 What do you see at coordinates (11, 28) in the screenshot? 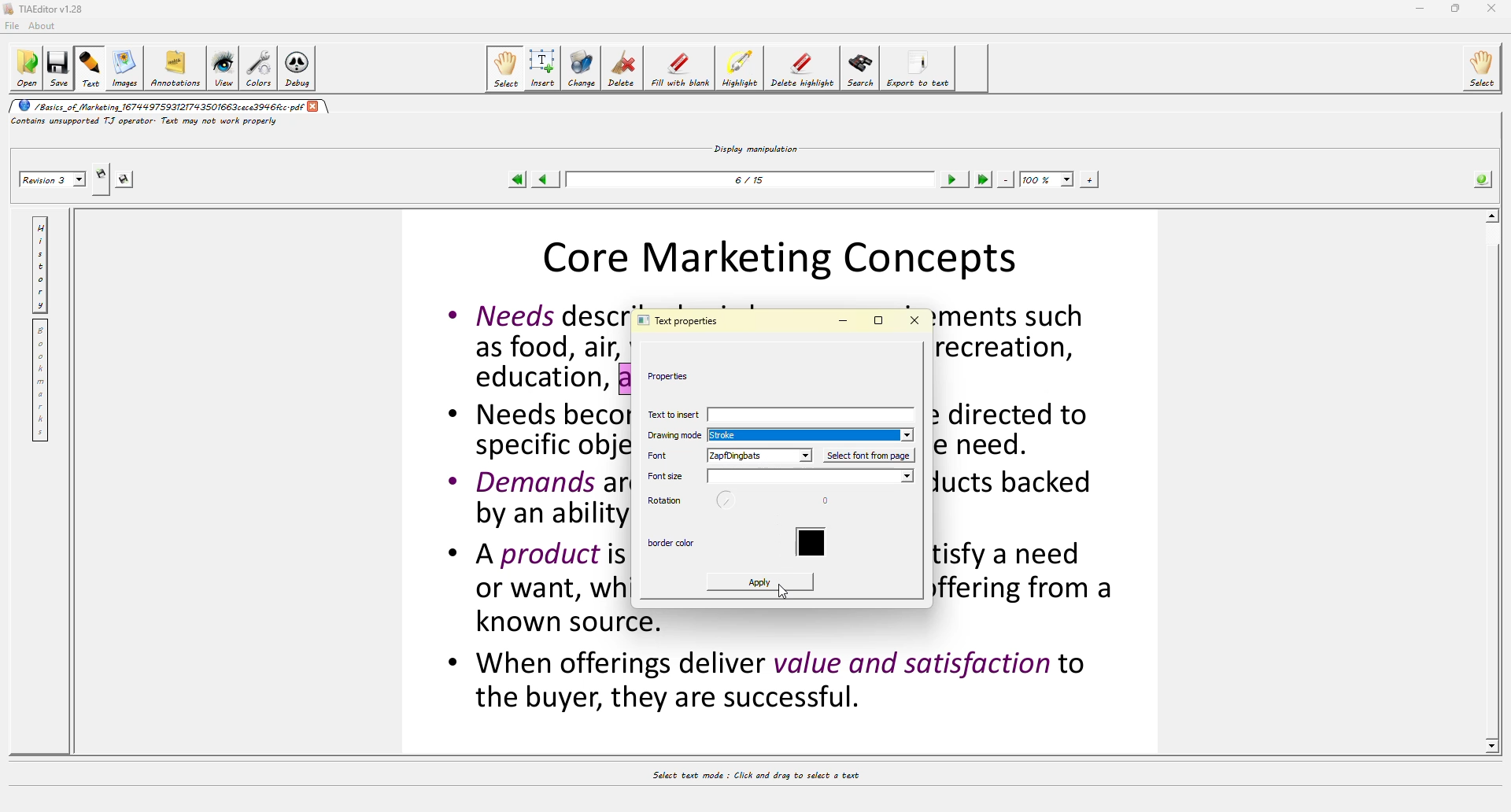
I see `file` at bounding box center [11, 28].